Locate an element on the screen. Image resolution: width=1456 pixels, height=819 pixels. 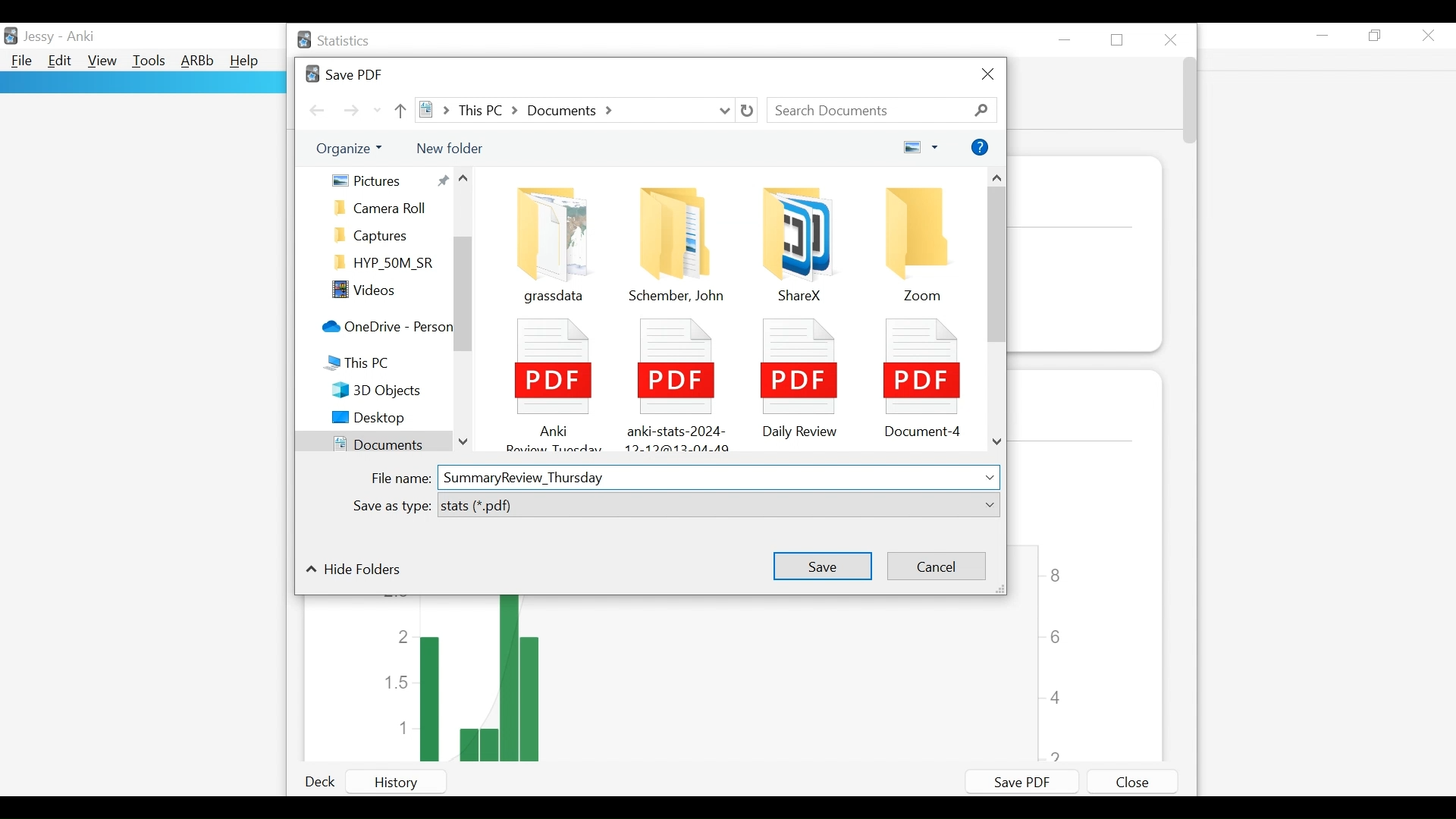
Folder is located at coordinates (677, 242).